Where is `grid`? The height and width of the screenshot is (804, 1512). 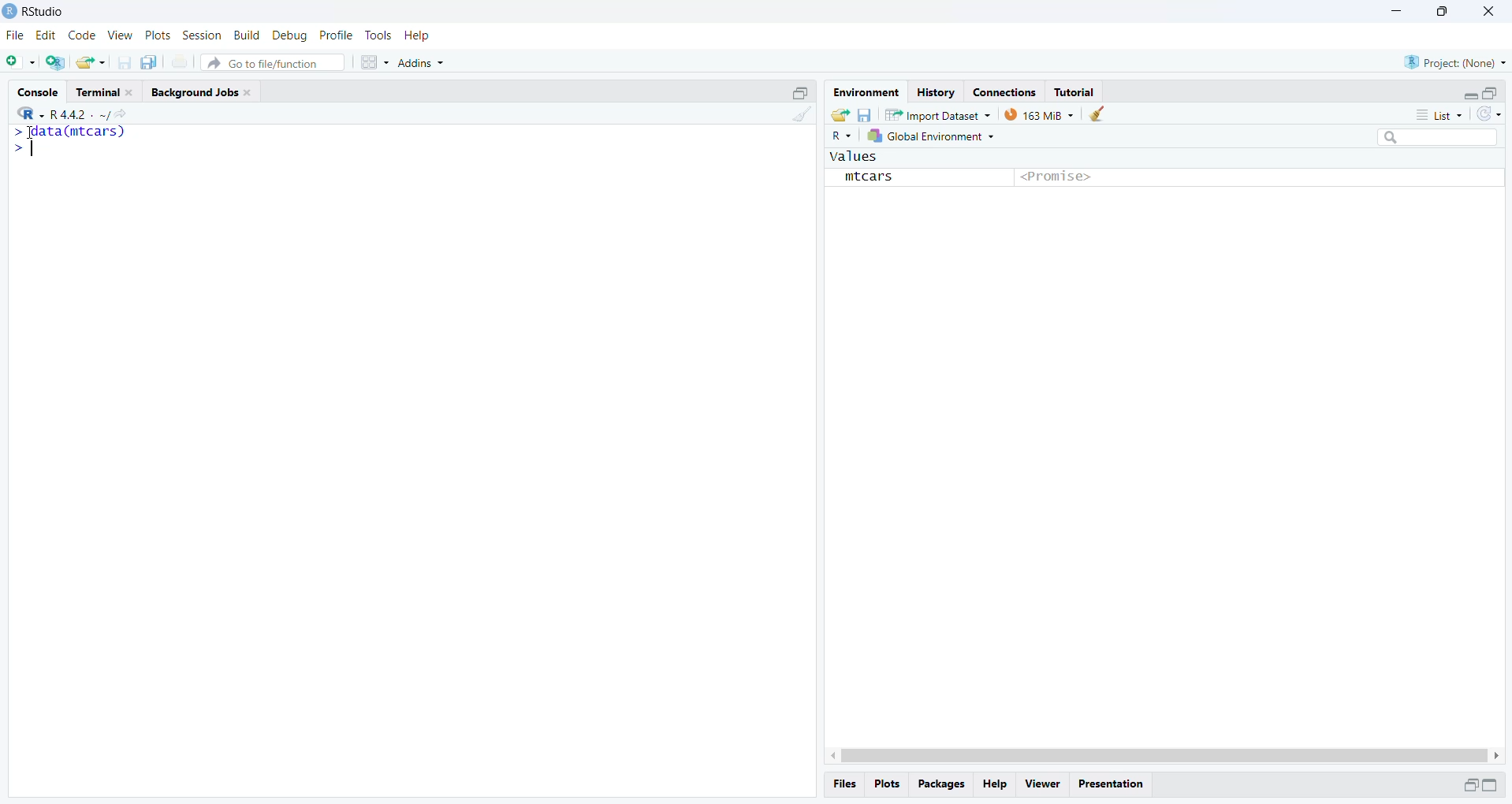
grid is located at coordinates (375, 61).